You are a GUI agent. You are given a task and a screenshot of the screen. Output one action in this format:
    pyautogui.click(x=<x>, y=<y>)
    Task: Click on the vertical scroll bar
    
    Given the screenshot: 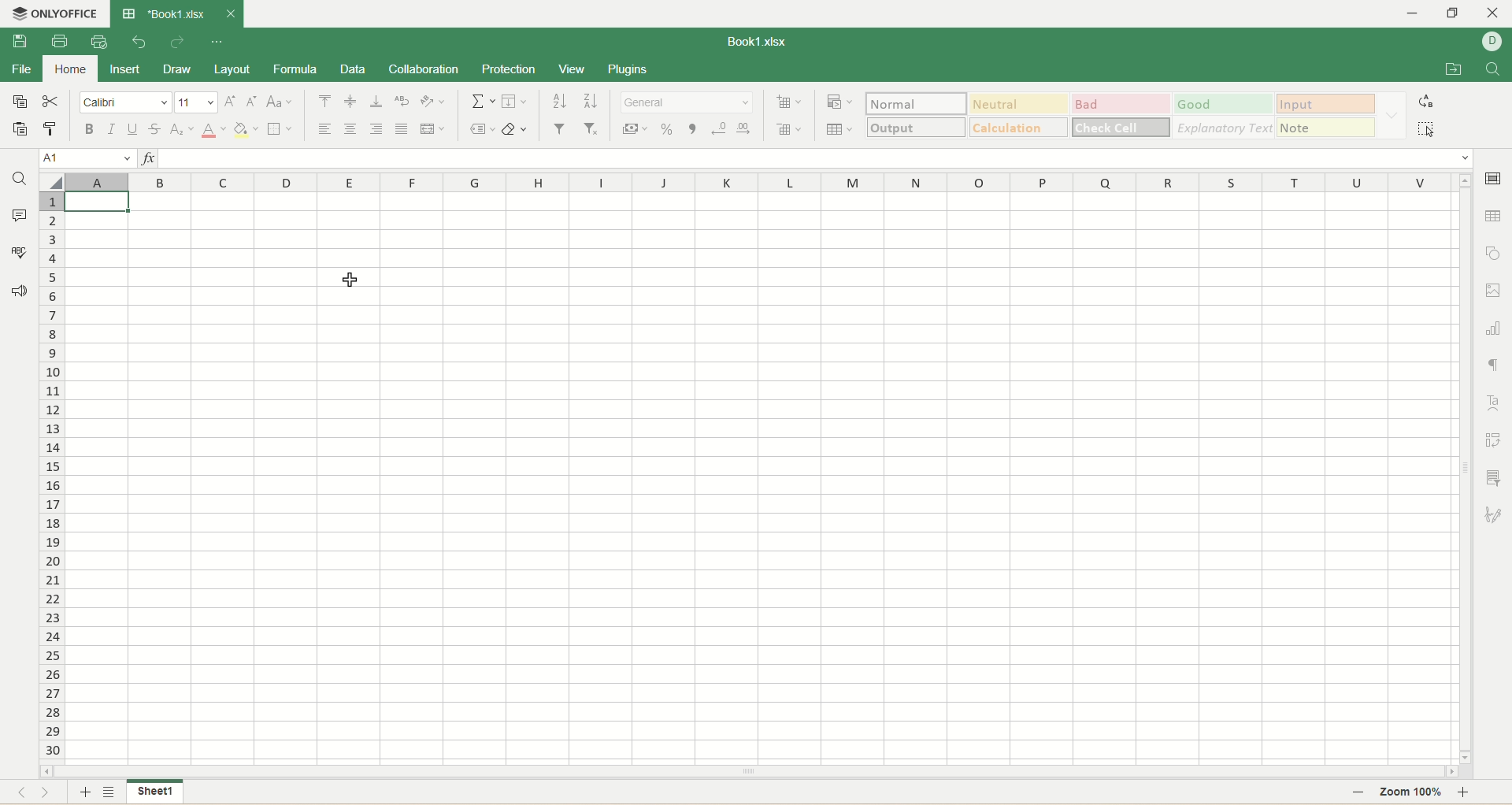 What is the action you would take?
    pyautogui.click(x=1468, y=467)
    